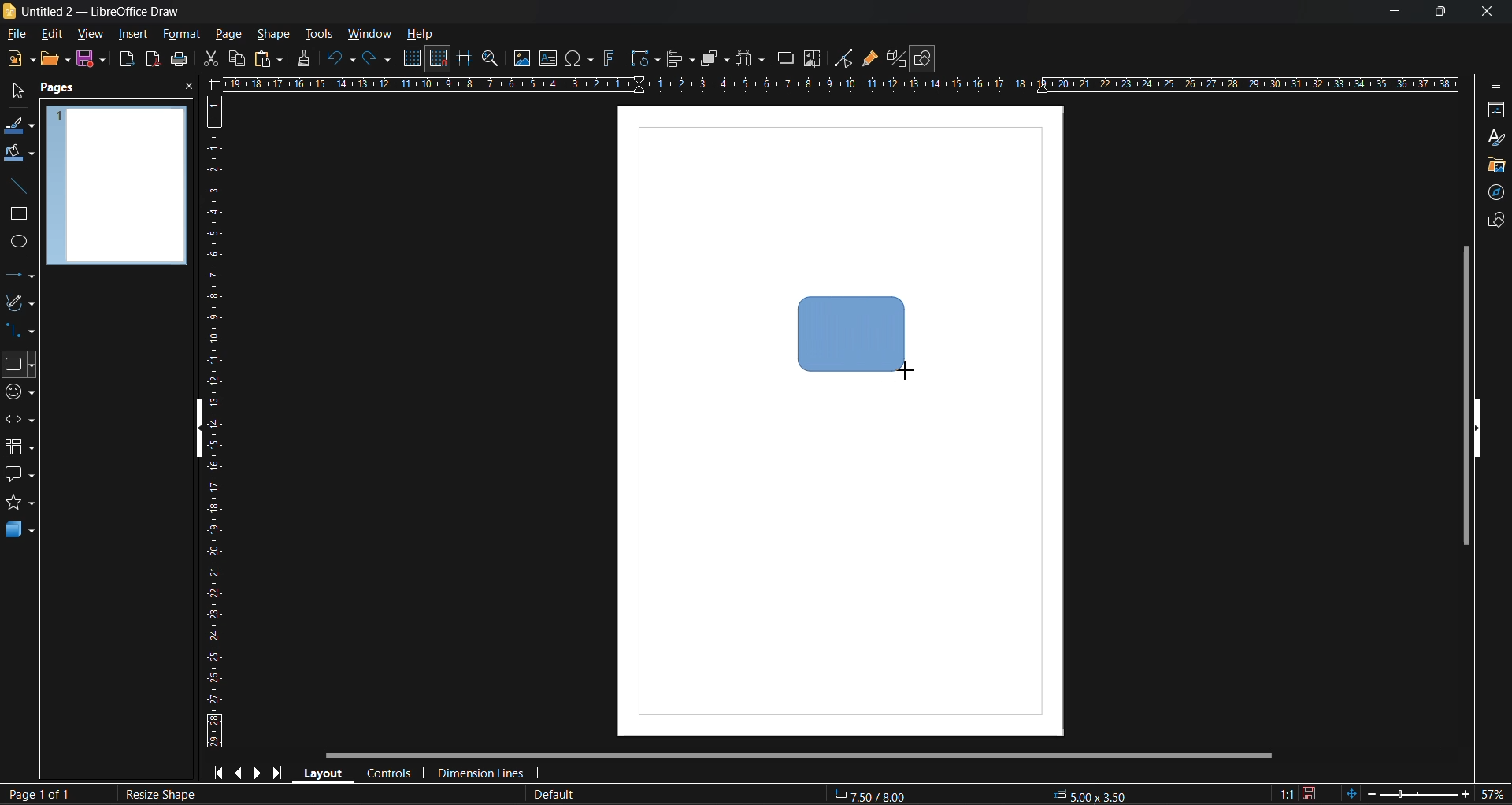 The height and width of the screenshot is (805, 1512). I want to click on first, so click(217, 772).